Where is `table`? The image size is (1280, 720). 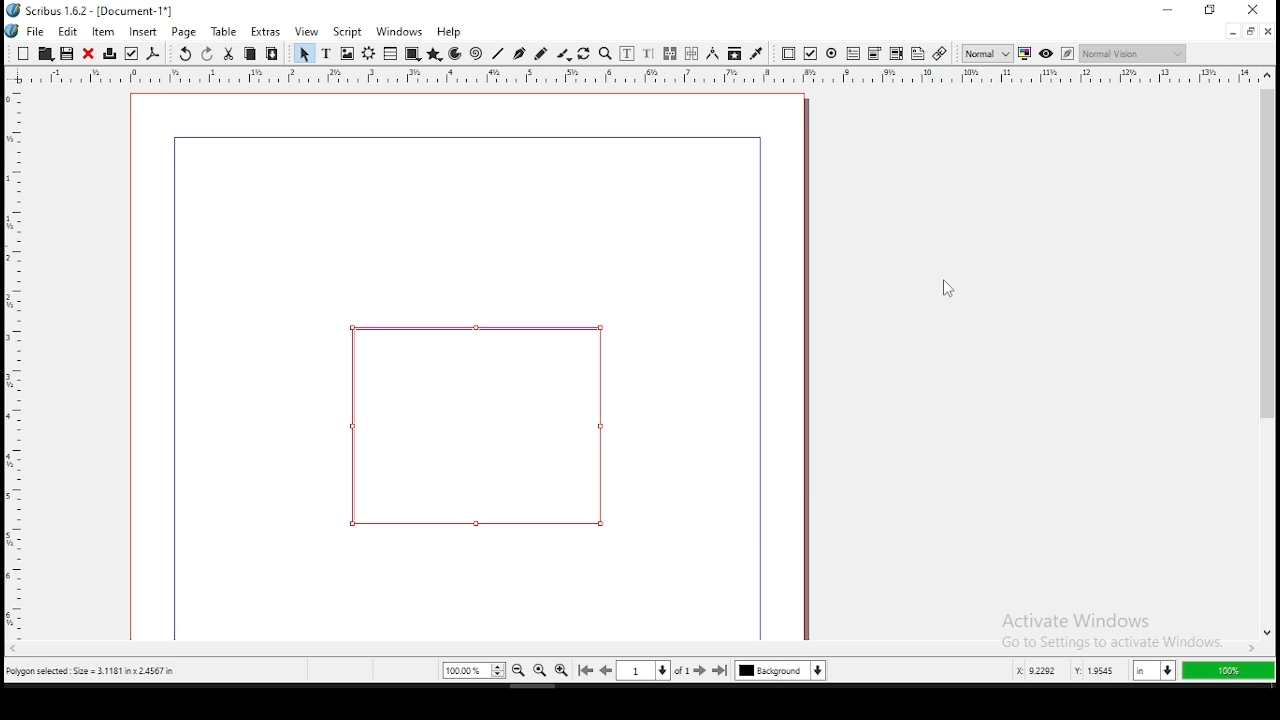
table is located at coordinates (390, 53).